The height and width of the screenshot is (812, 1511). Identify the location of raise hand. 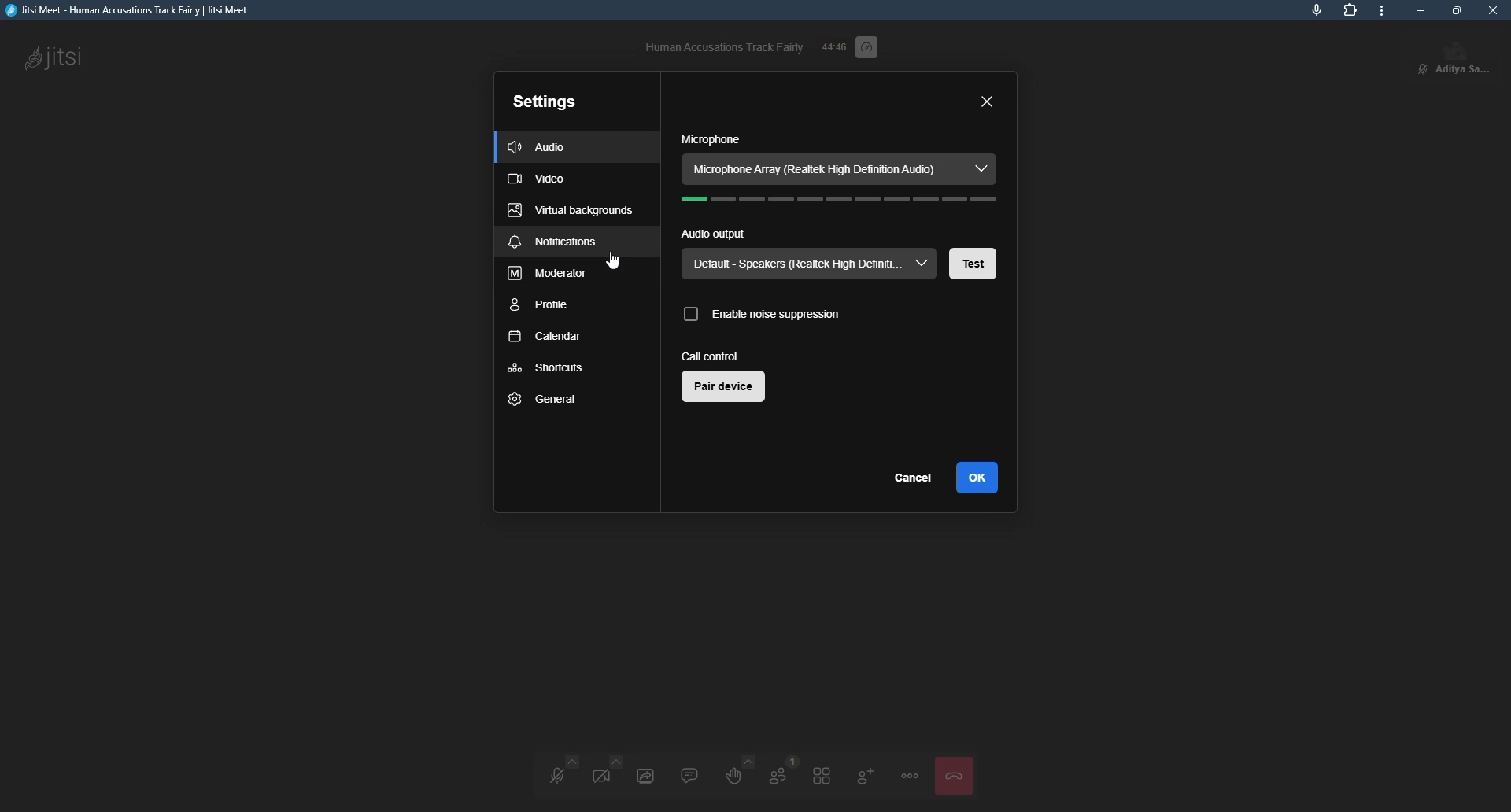
(732, 773).